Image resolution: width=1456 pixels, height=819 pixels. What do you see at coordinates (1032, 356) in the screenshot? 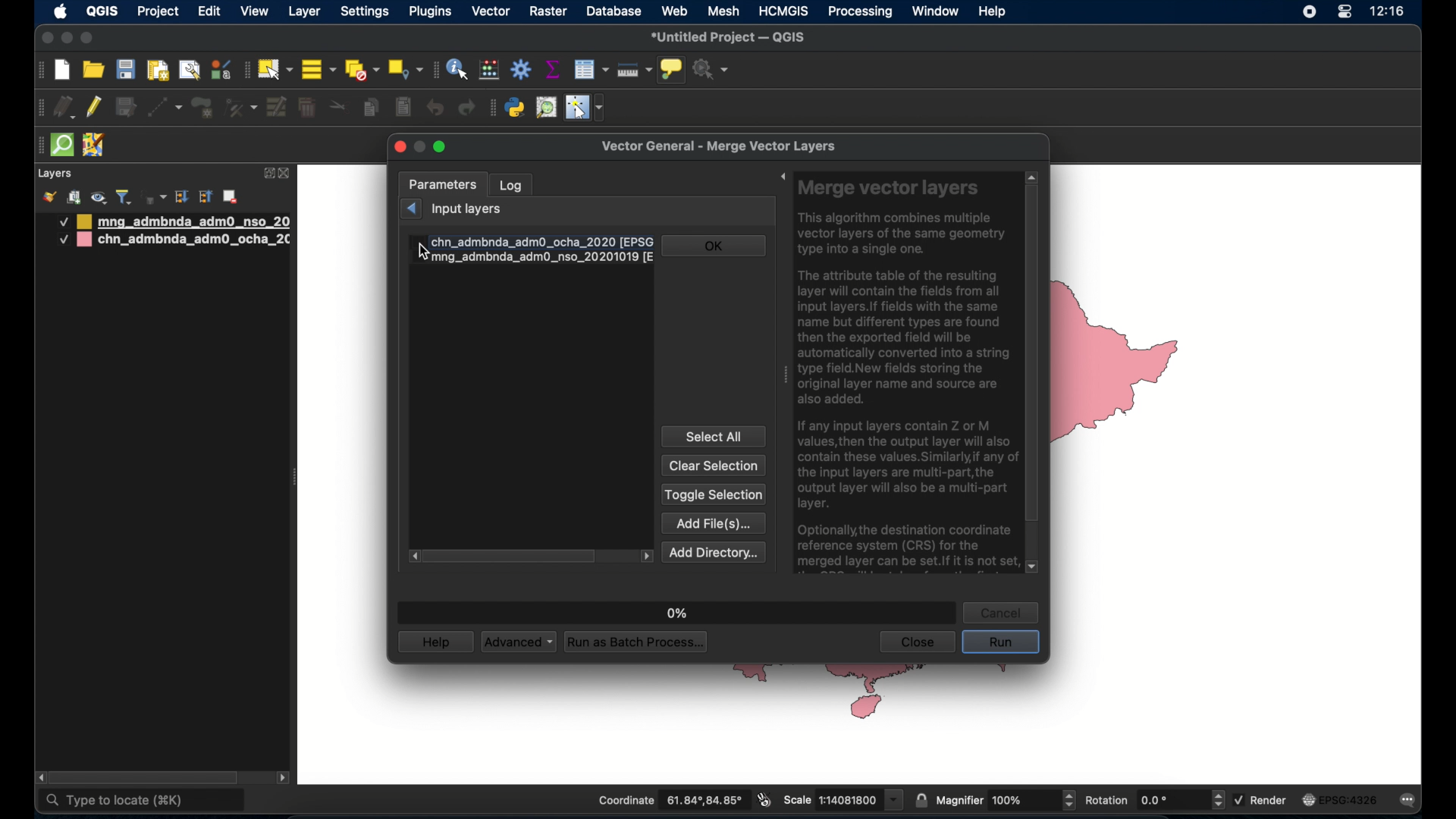
I see `scroll box` at bounding box center [1032, 356].